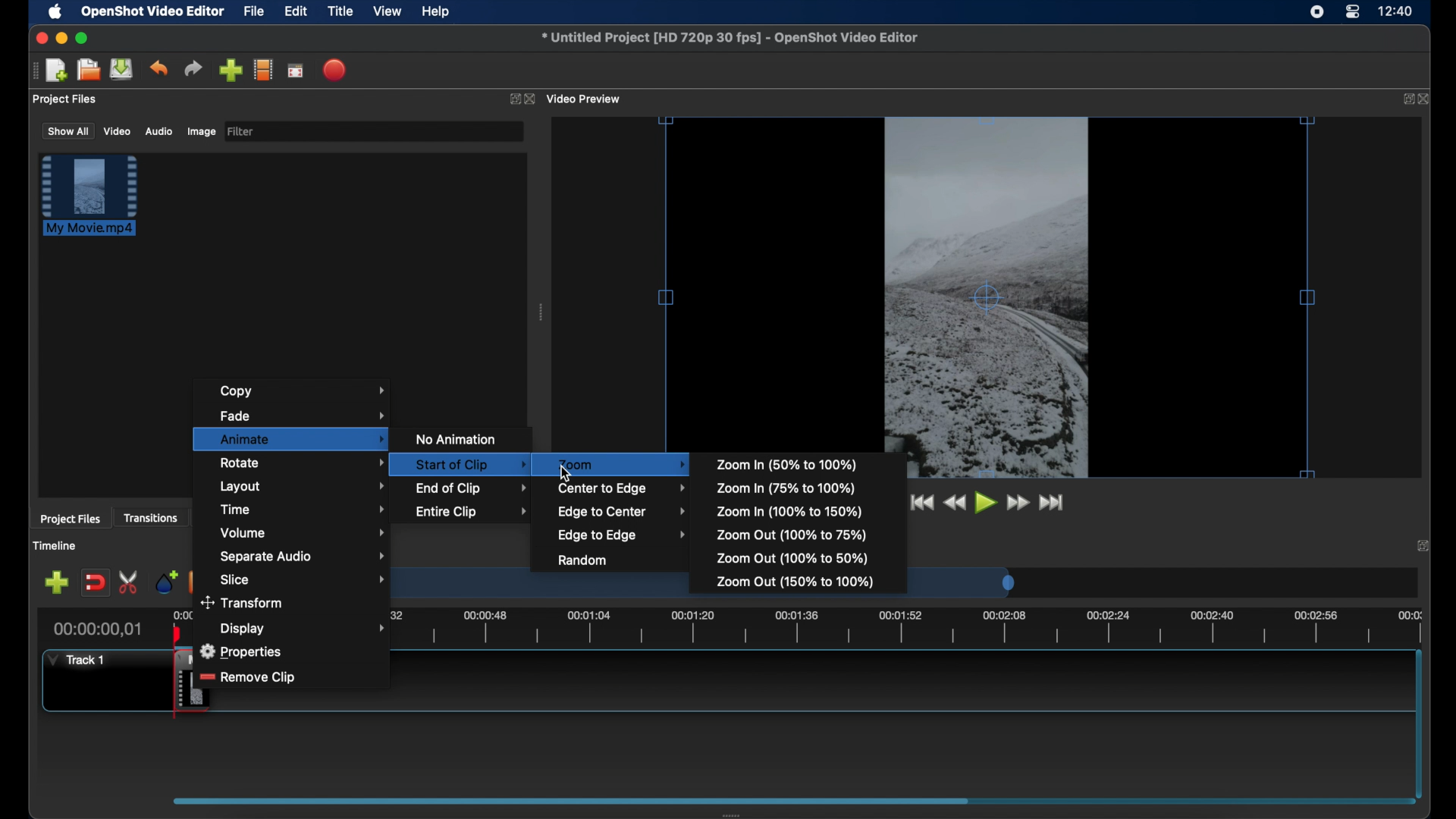  Describe the element at coordinates (193, 578) in the screenshot. I see `previous marker` at that location.